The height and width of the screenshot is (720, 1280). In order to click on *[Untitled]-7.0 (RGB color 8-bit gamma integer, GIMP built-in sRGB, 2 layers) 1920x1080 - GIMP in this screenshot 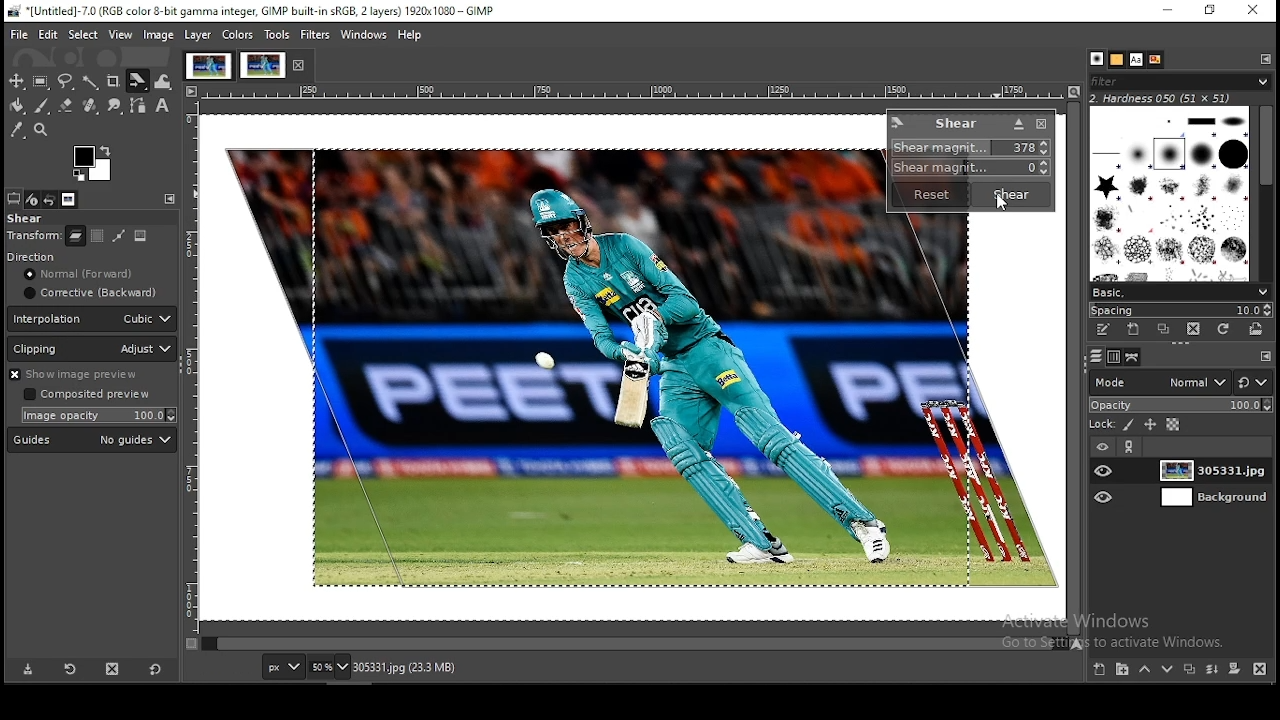, I will do `click(262, 11)`.